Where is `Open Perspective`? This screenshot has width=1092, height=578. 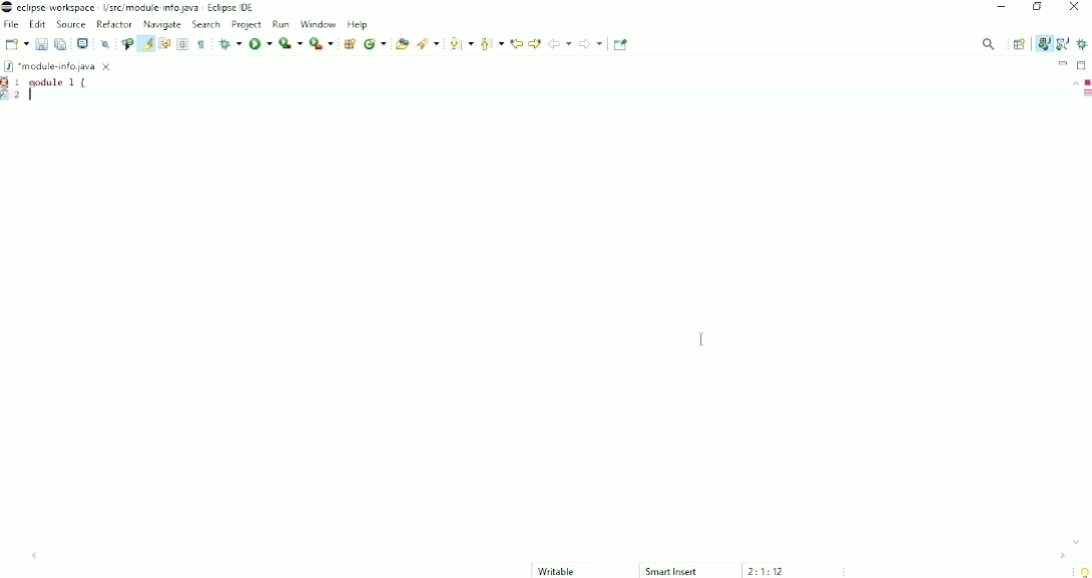 Open Perspective is located at coordinates (1019, 44).